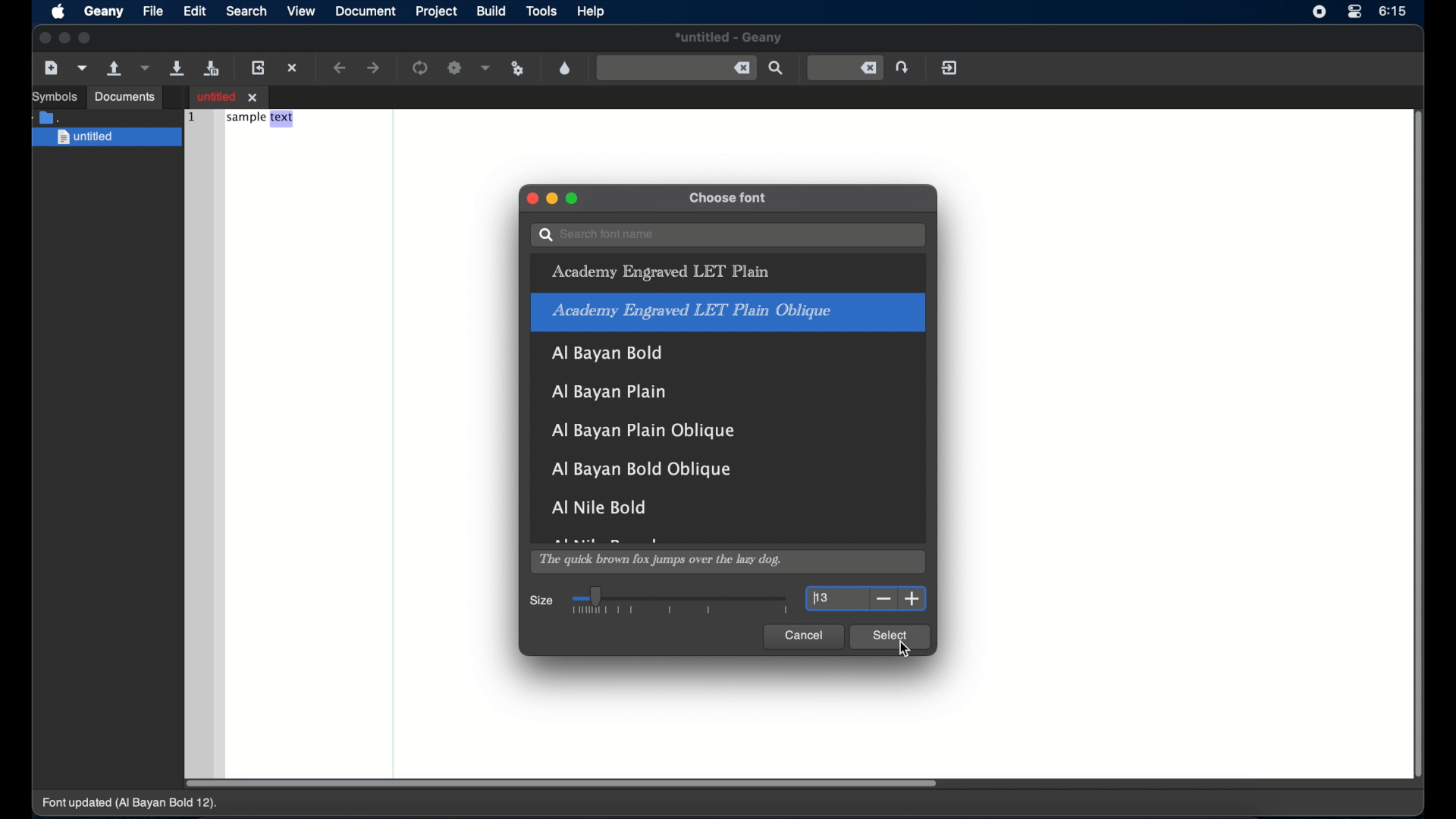  Describe the element at coordinates (543, 12) in the screenshot. I see `tools` at that location.